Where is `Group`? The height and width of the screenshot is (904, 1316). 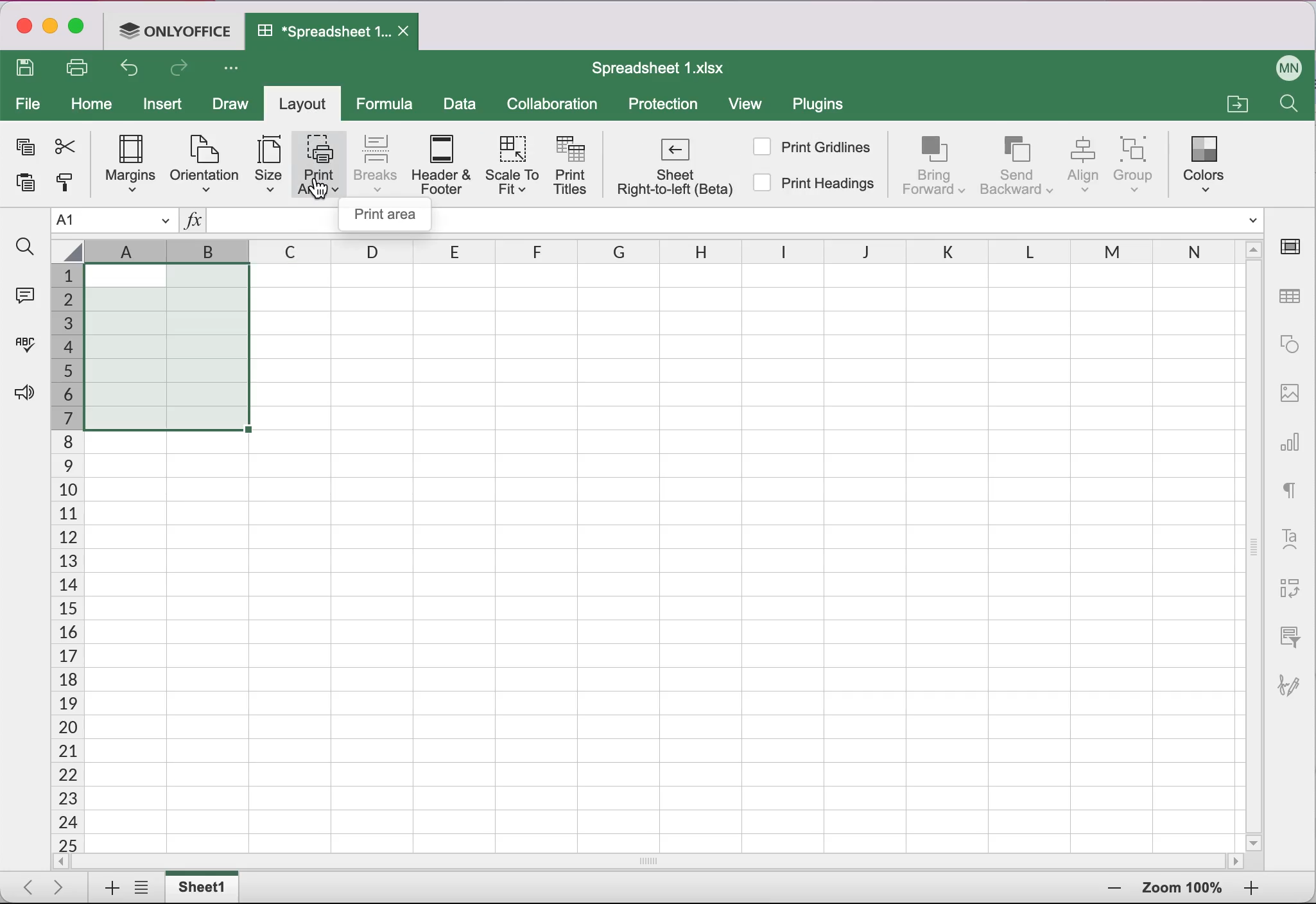 Group is located at coordinates (1141, 164).